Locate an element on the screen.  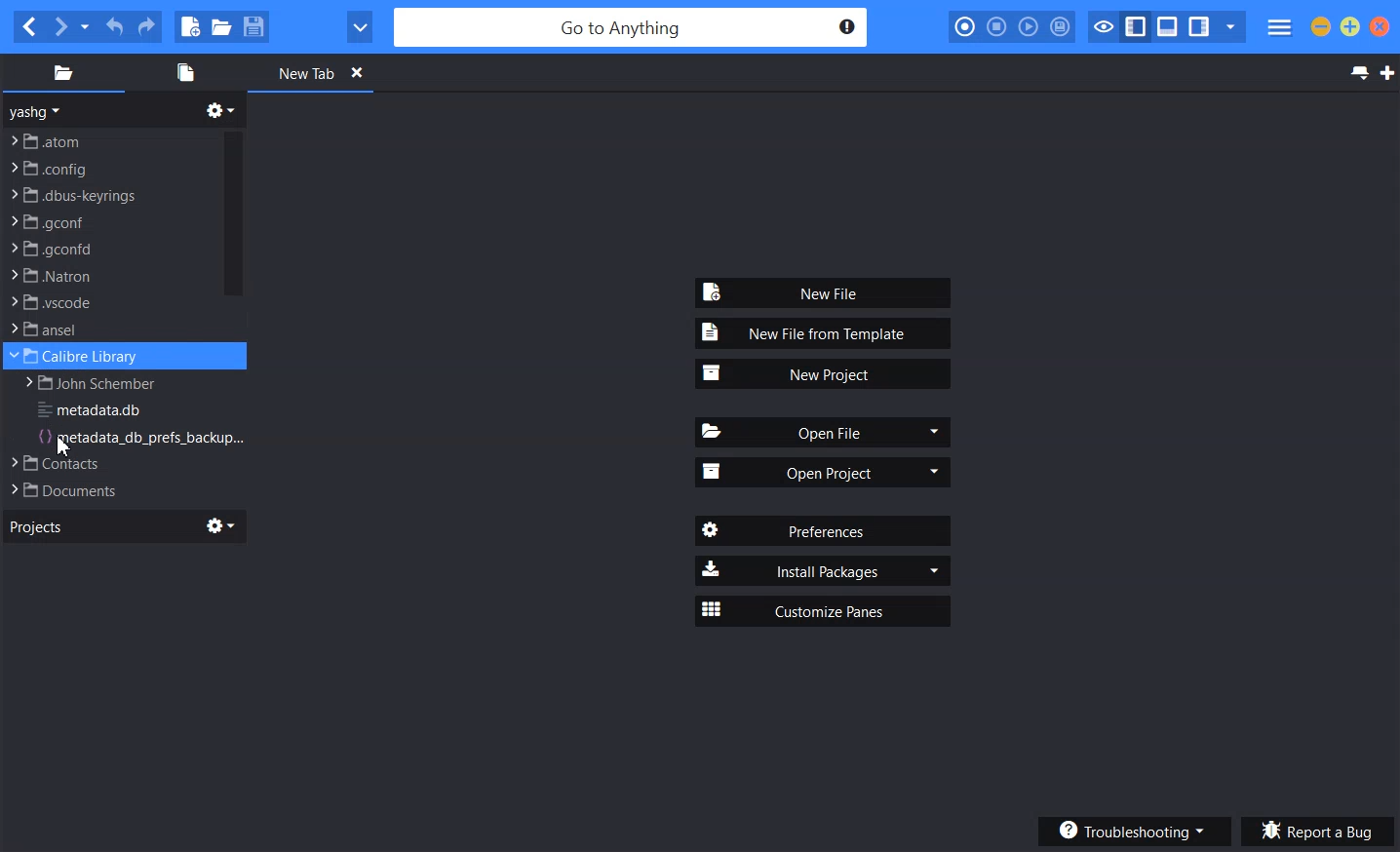
Show/Hide right pane is located at coordinates (1199, 27).